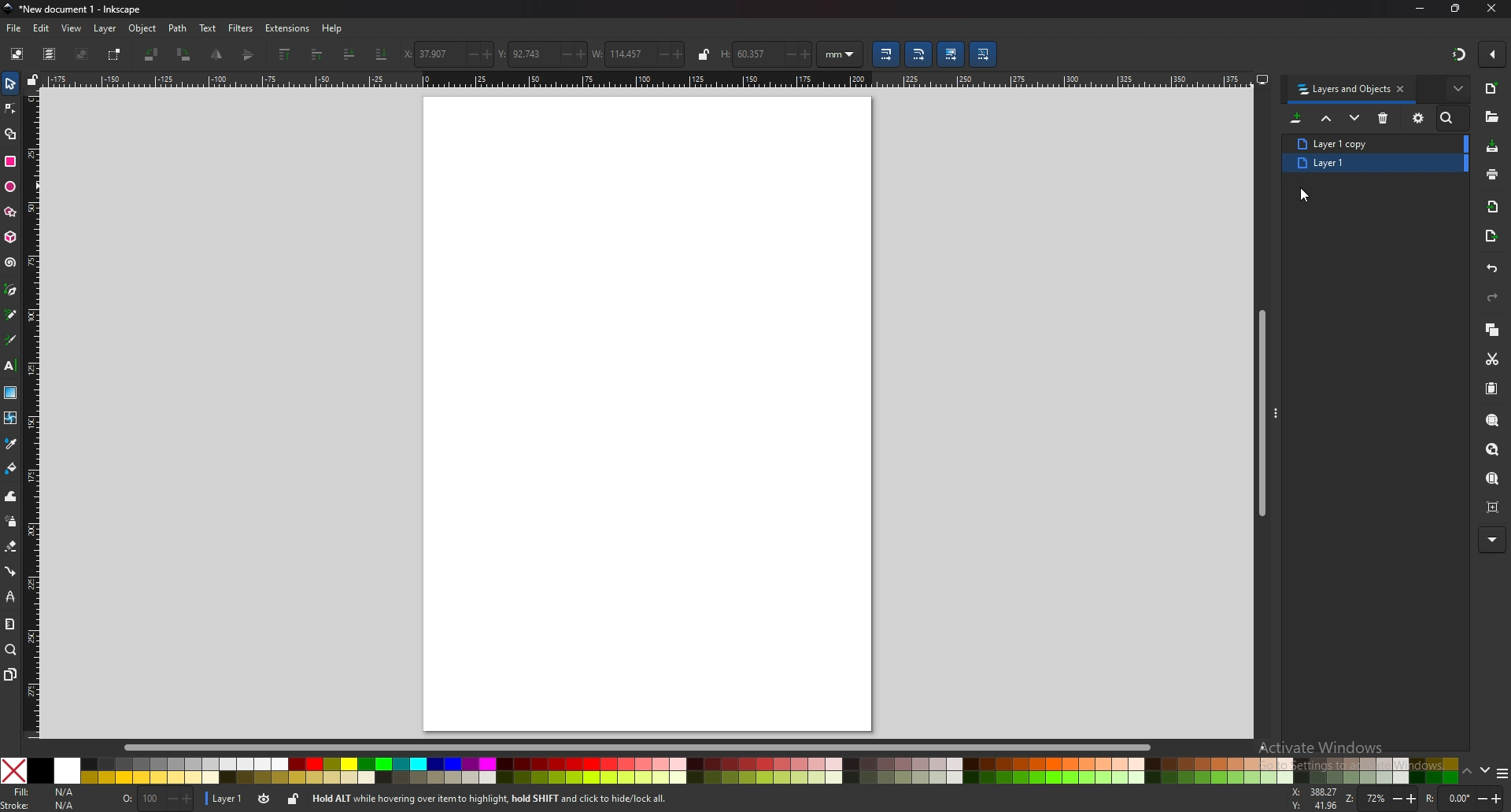  I want to click on rotate 90 degree ccw, so click(151, 55).